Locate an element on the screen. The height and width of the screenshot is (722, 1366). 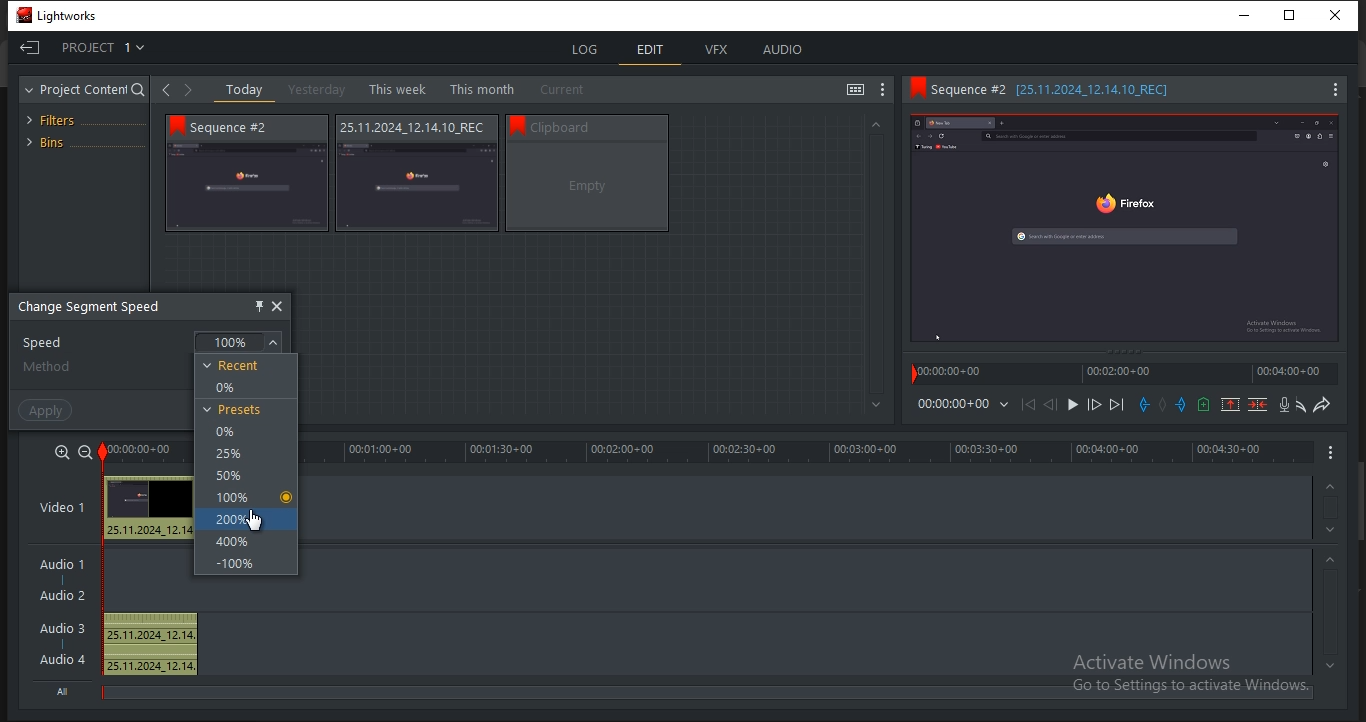
bookmark is located at coordinates (517, 124).